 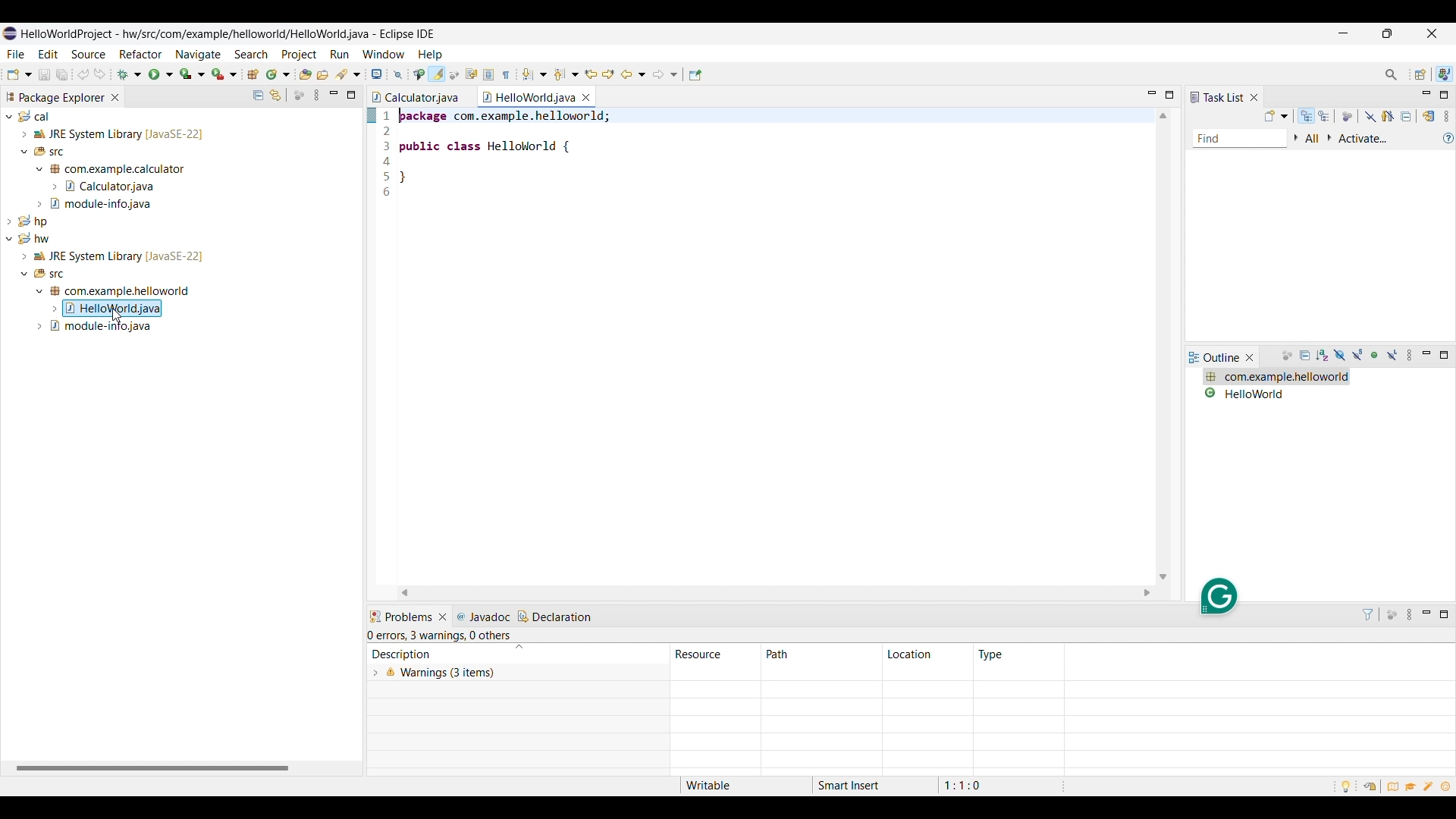 I want to click on Hide static fields and methods, so click(x=1358, y=356).